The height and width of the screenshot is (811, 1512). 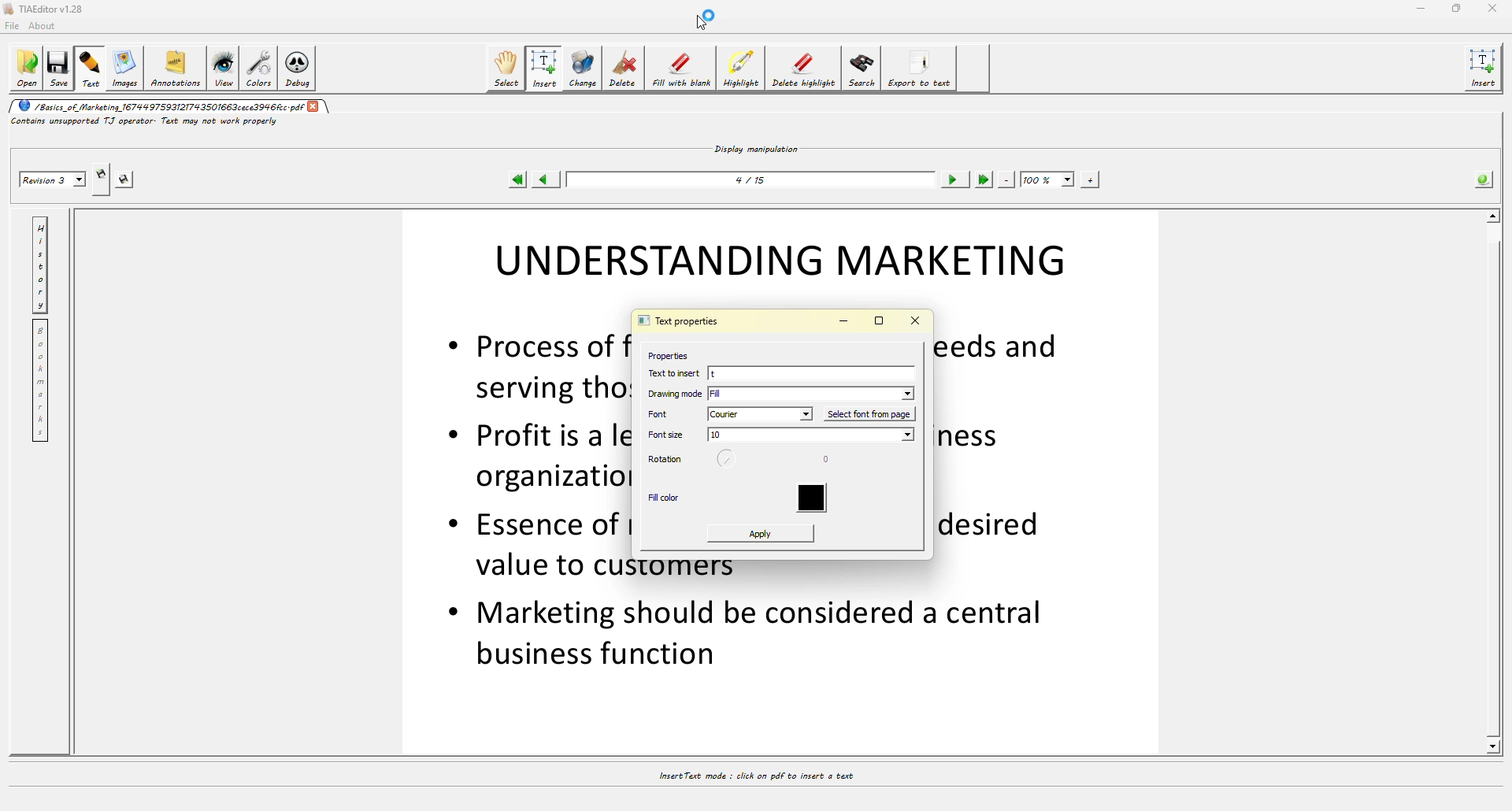 I want to click on insert text mode: click on pdf to insert a text, so click(x=754, y=776).